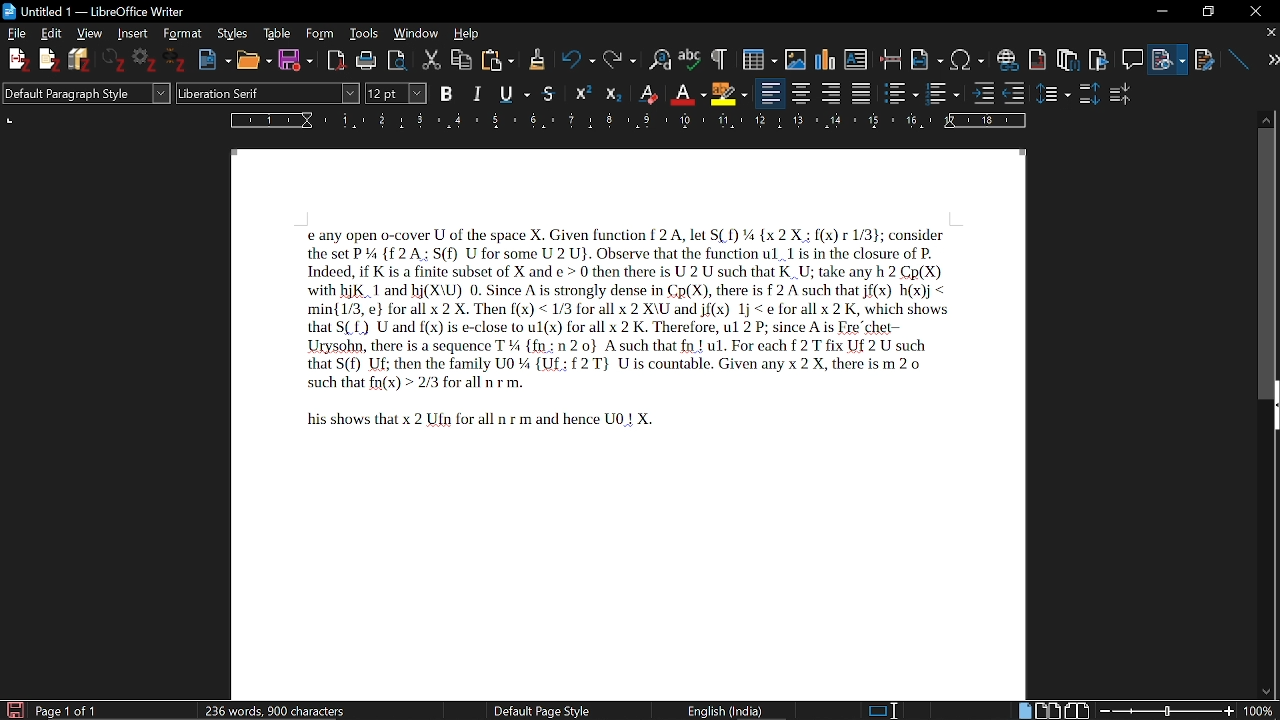 The width and height of the screenshot is (1280, 720). What do you see at coordinates (1039, 55) in the screenshot?
I see `Insert endnote` at bounding box center [1039, 55].